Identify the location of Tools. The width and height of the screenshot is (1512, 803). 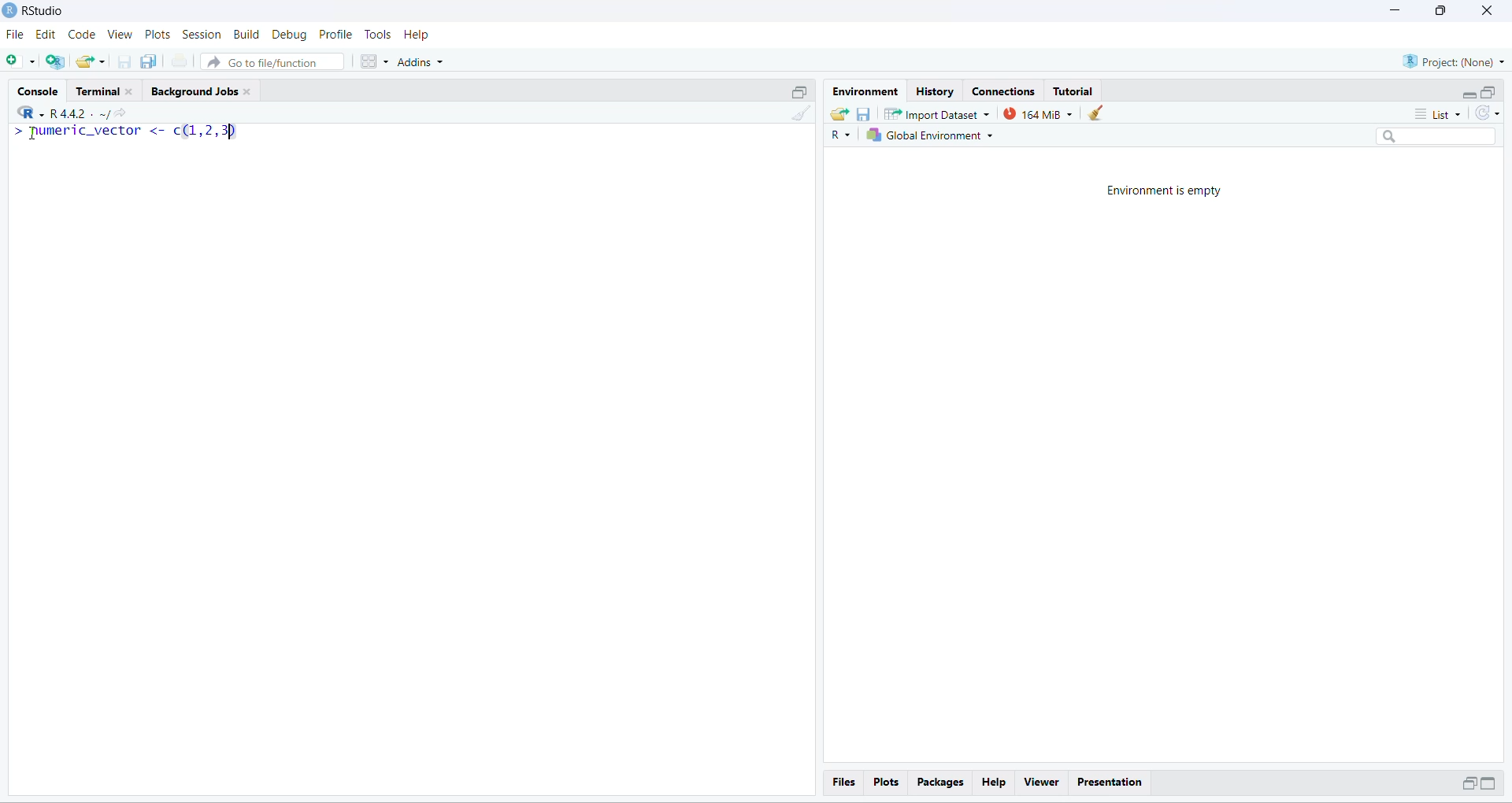
(376, 35).